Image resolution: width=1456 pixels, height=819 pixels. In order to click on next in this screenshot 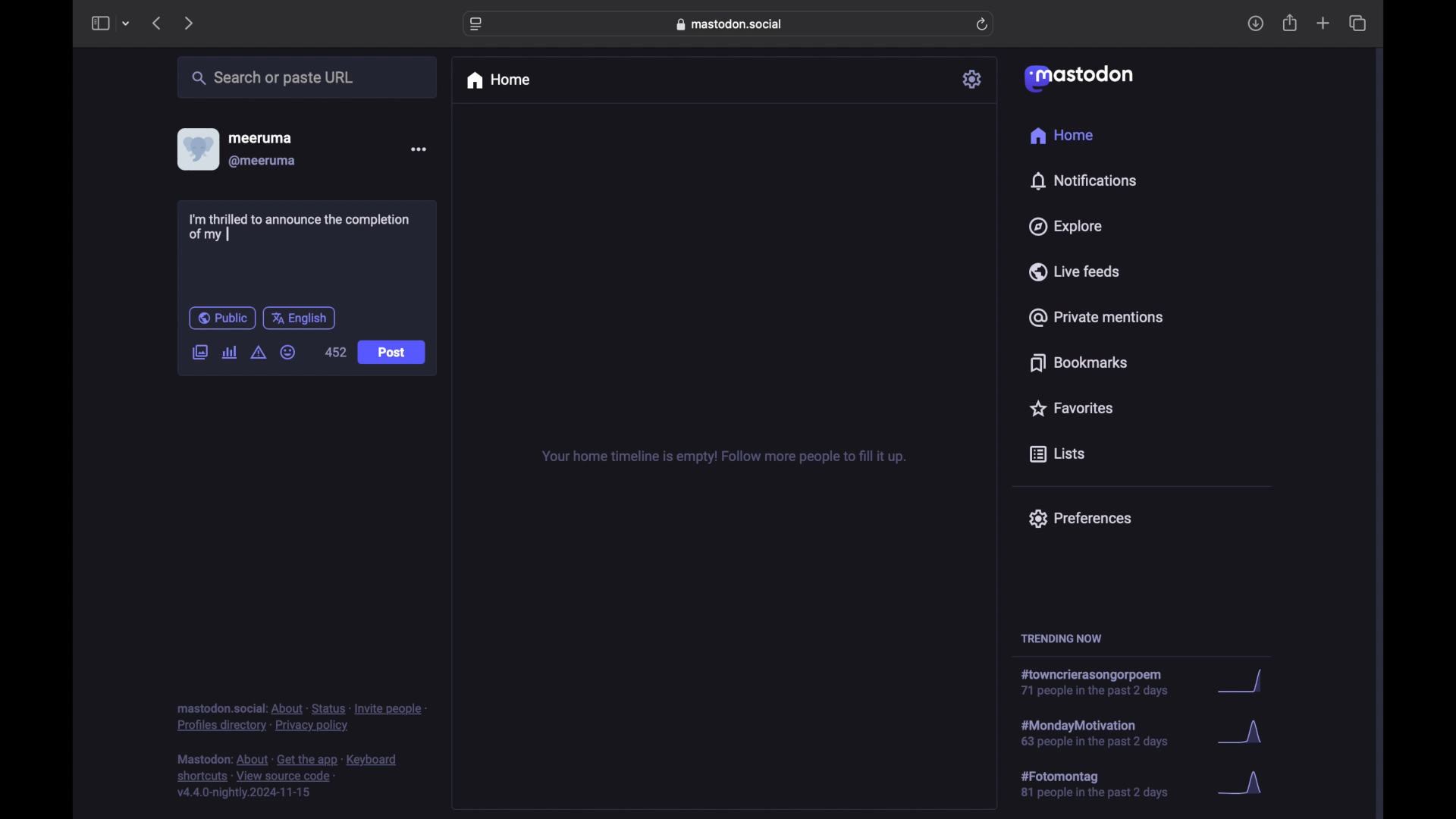, I will do `click(188, 24)`.